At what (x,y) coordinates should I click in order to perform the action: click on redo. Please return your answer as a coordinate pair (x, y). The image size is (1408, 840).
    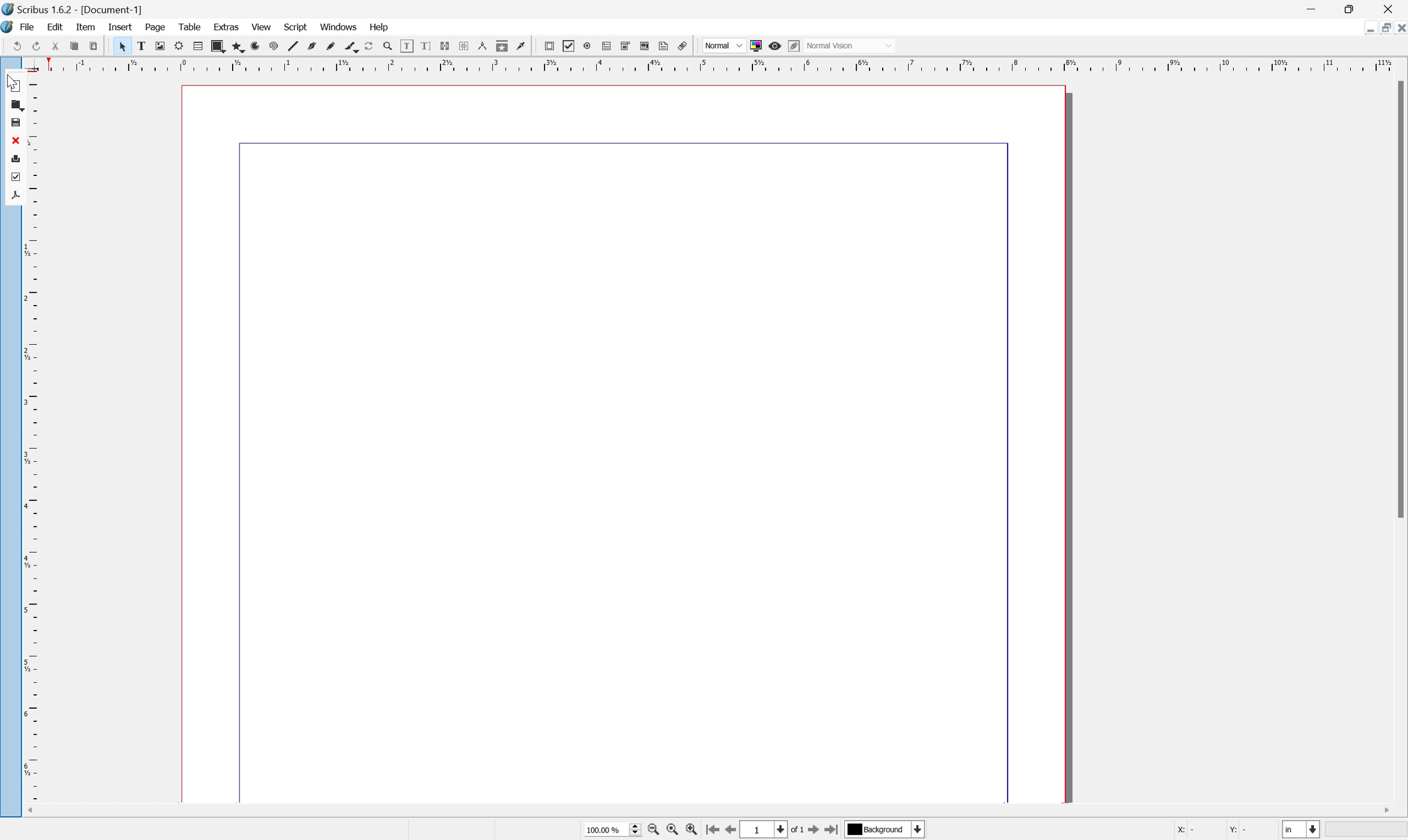
    Looking at the image, I should click on (181, 46).